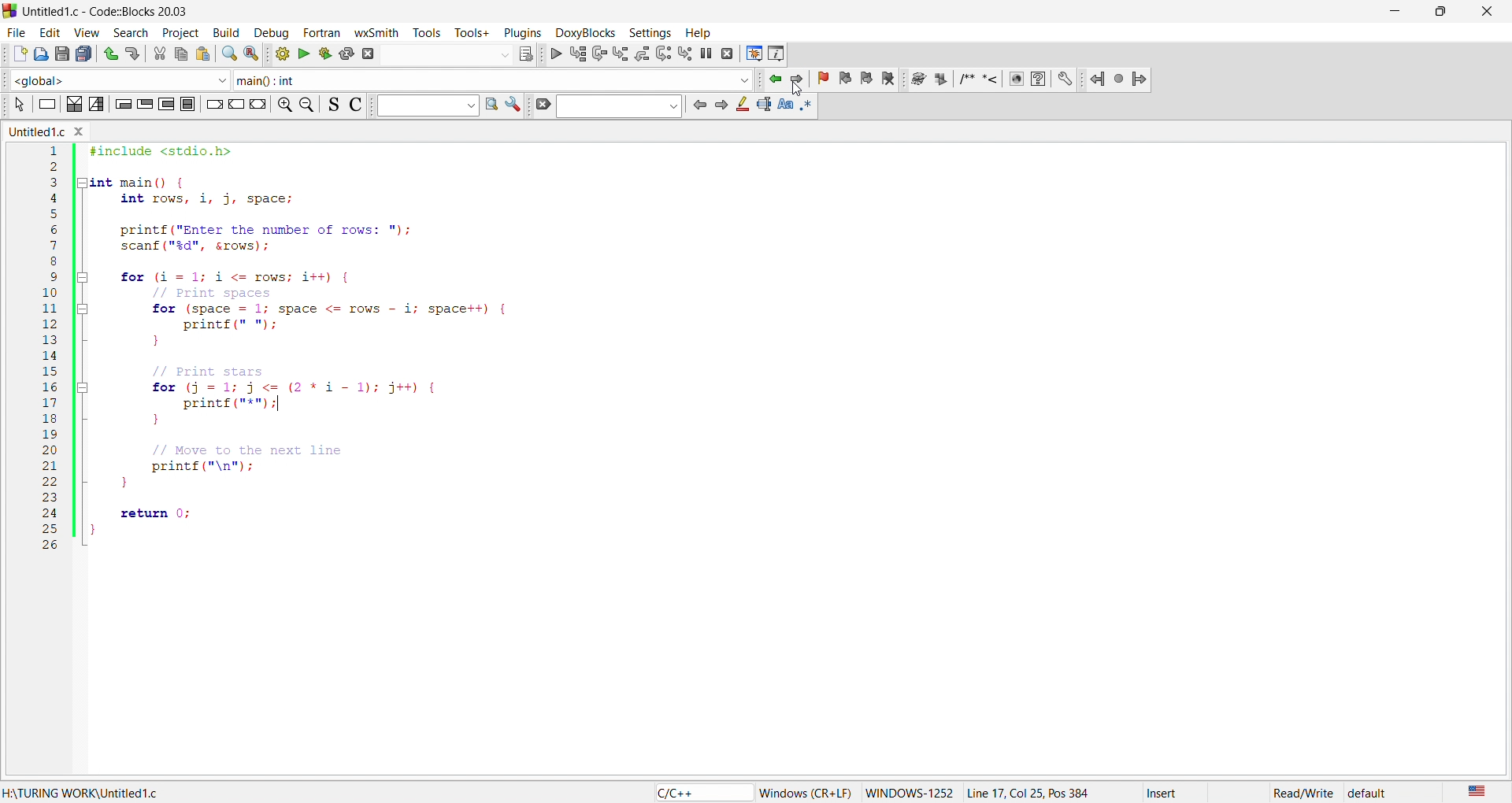 The height and width of the screenshot is (803, 1512). Describe the element at coordinates (47, 32) in the screenshot. I see `edit` at that location.